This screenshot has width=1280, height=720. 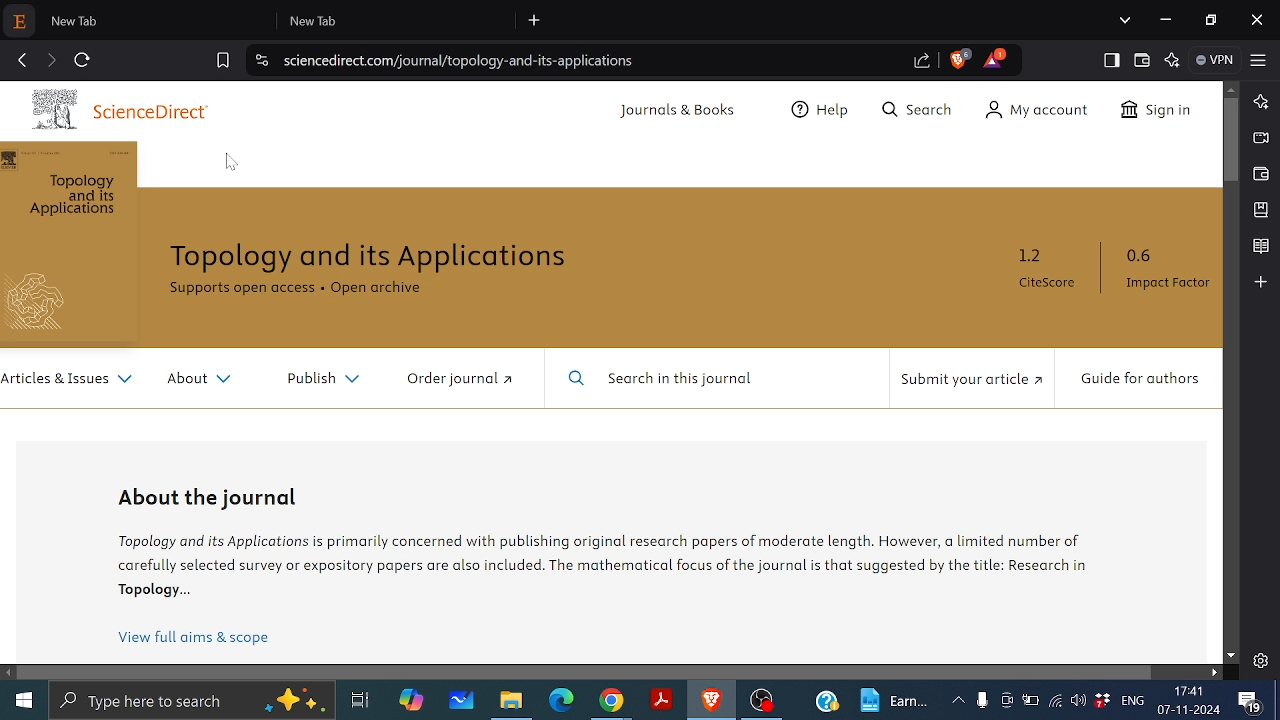 What do you see at coordinates (83, 60) in the screenshot?
I see `refresh` at bounding box center [83, 60].